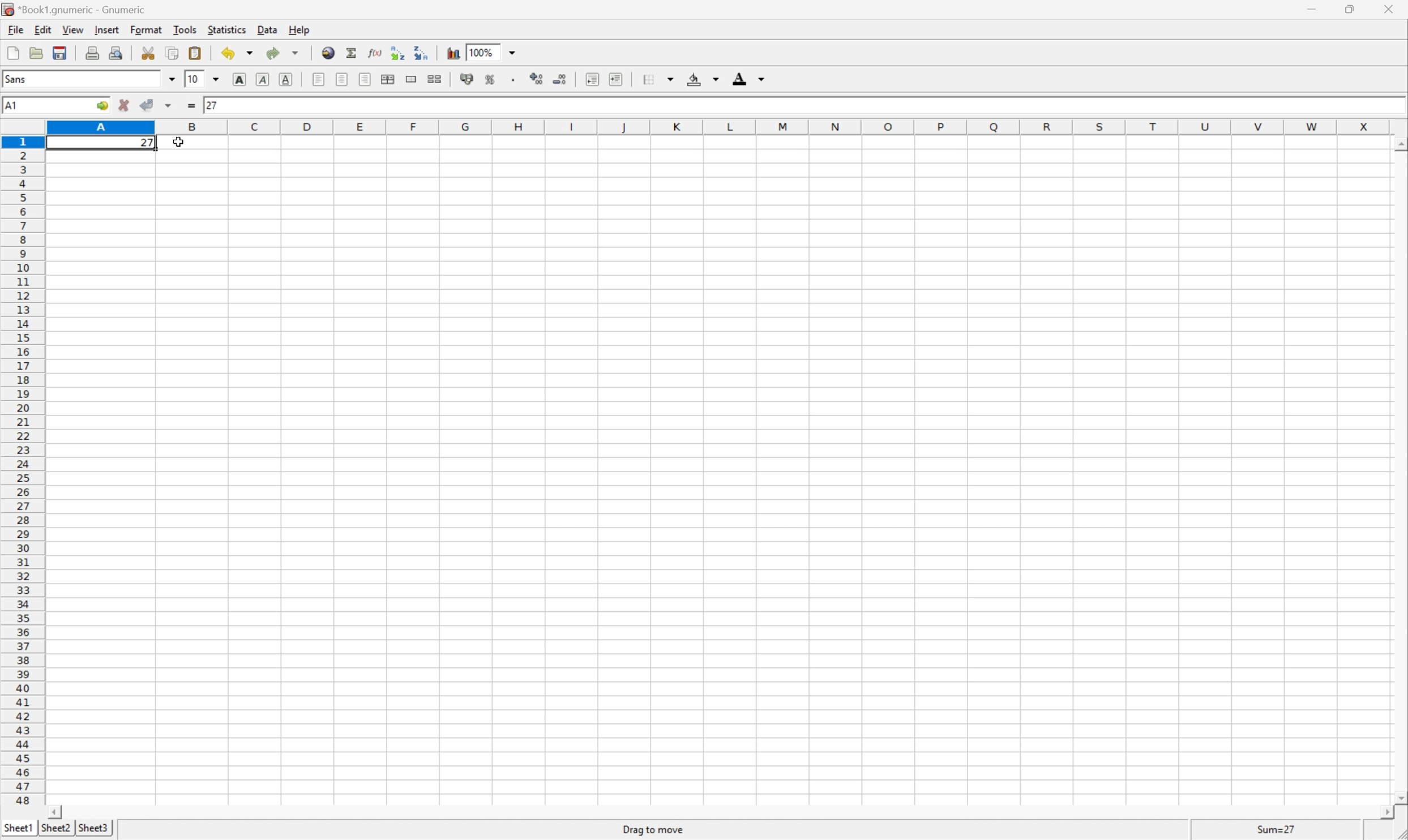 The image size is (1408, 840). What do you see at coordinates (106, 30) in the screenshot?
I see `Insert` at bounding box center [106, 30].